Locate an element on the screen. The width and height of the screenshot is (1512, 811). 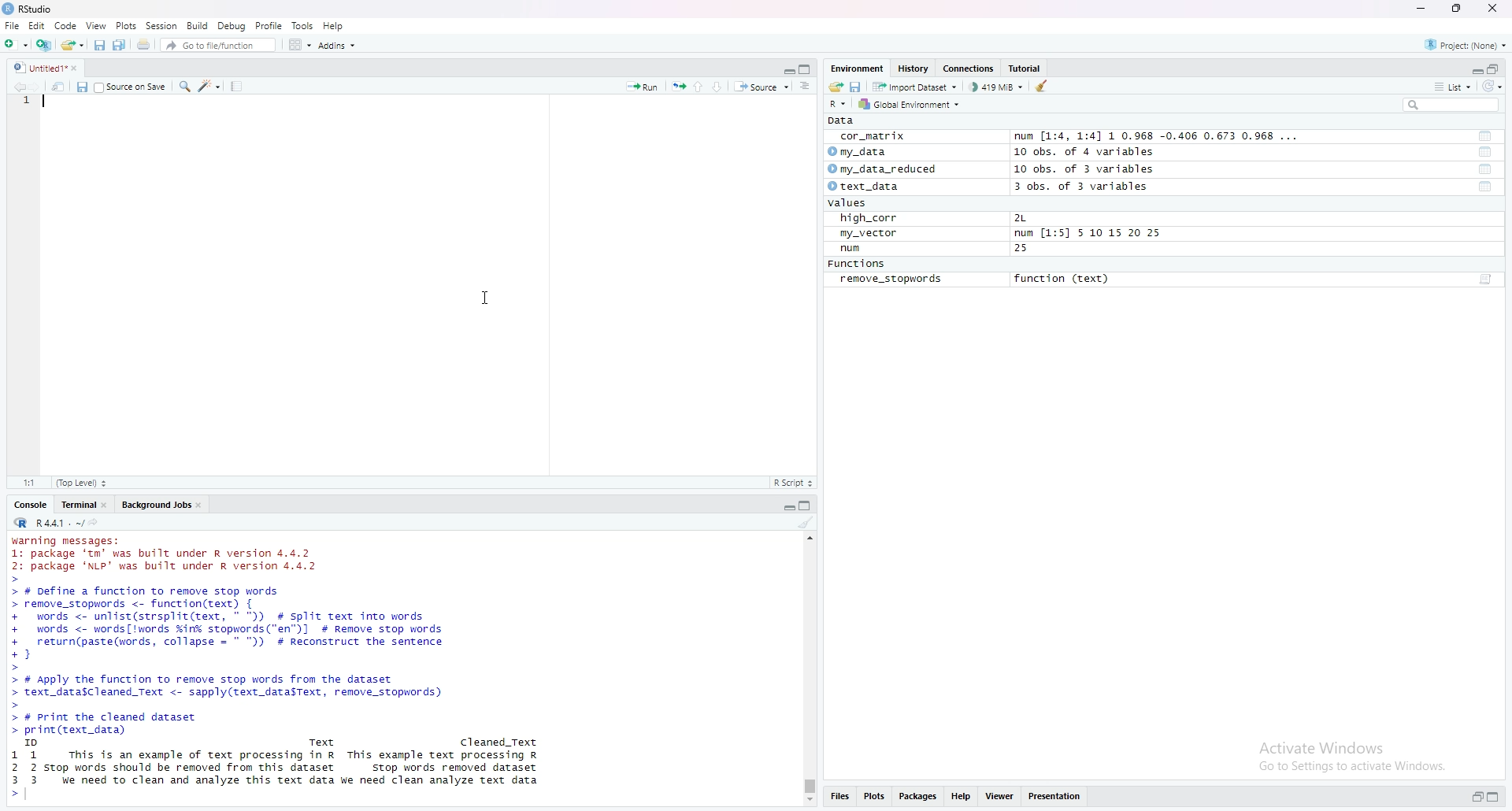
Open is located at coordinates (71, 45).